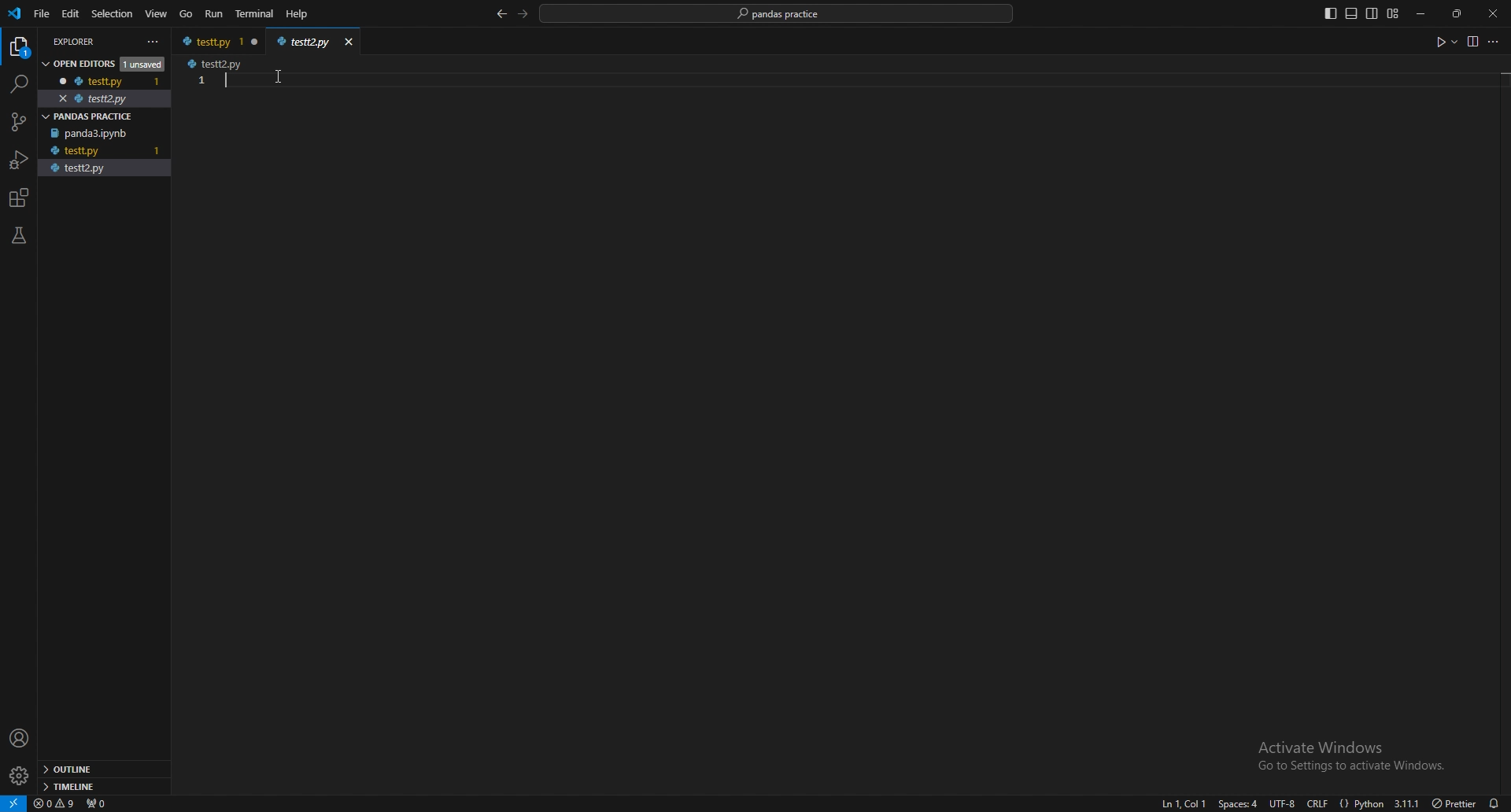 This screenshot has height=812, width=1511. What do you see at coordinates (1496, 43) in the screenshot?
I see `more options` at bounding box center [1496, 43].